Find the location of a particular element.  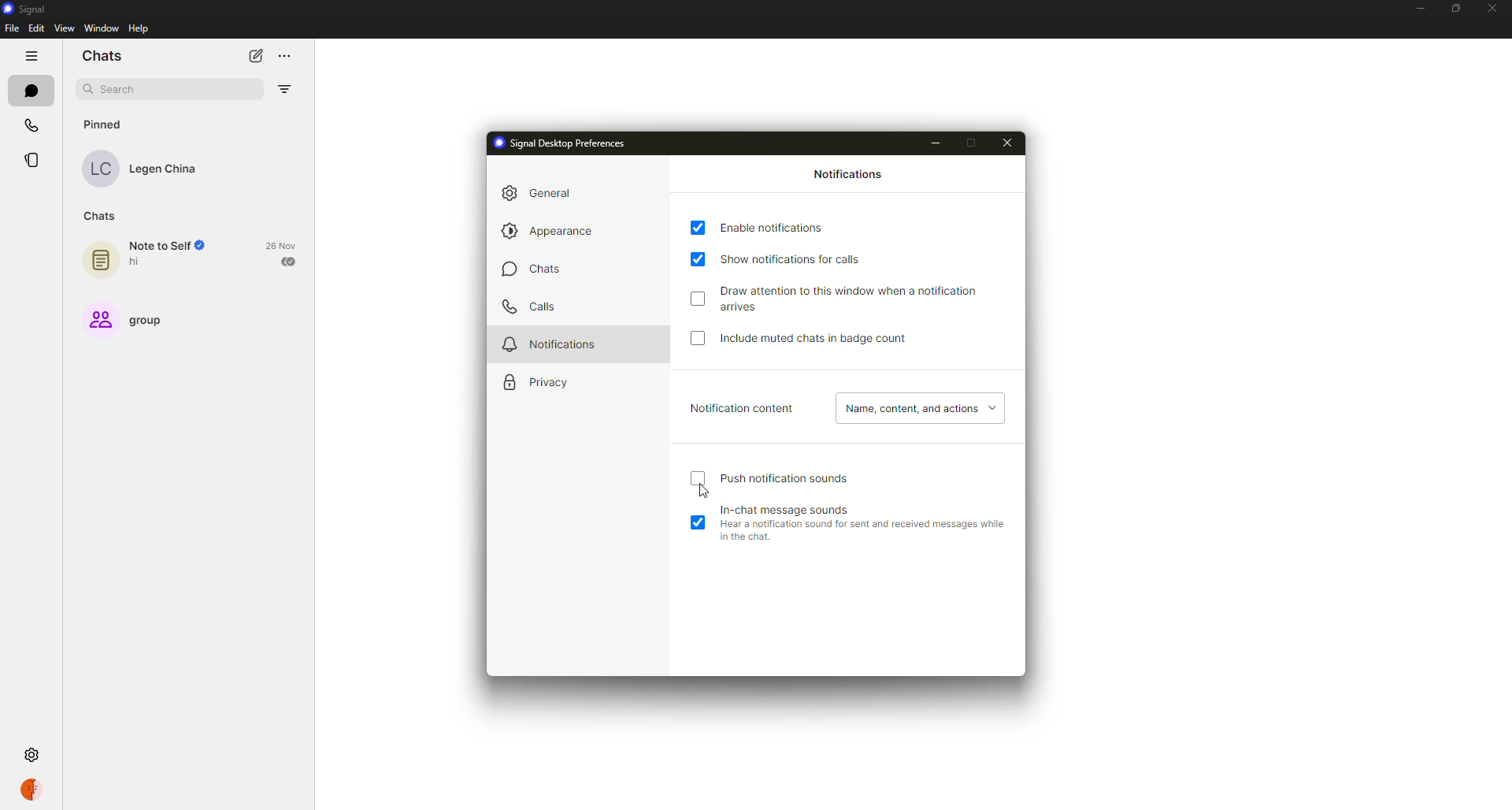

include muted chats in badge count is located at coordinates (813, 340).